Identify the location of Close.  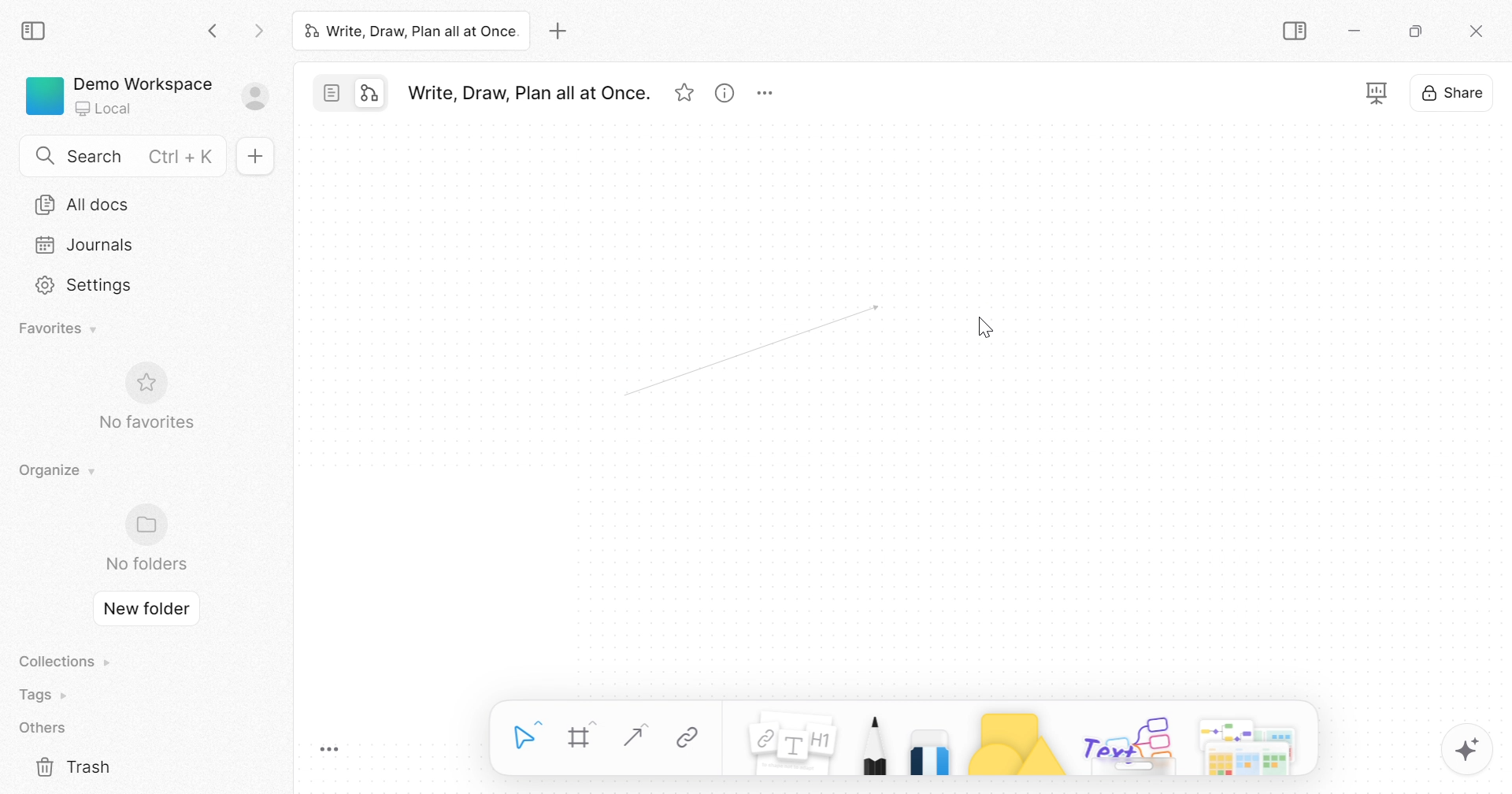
(1477, 33).